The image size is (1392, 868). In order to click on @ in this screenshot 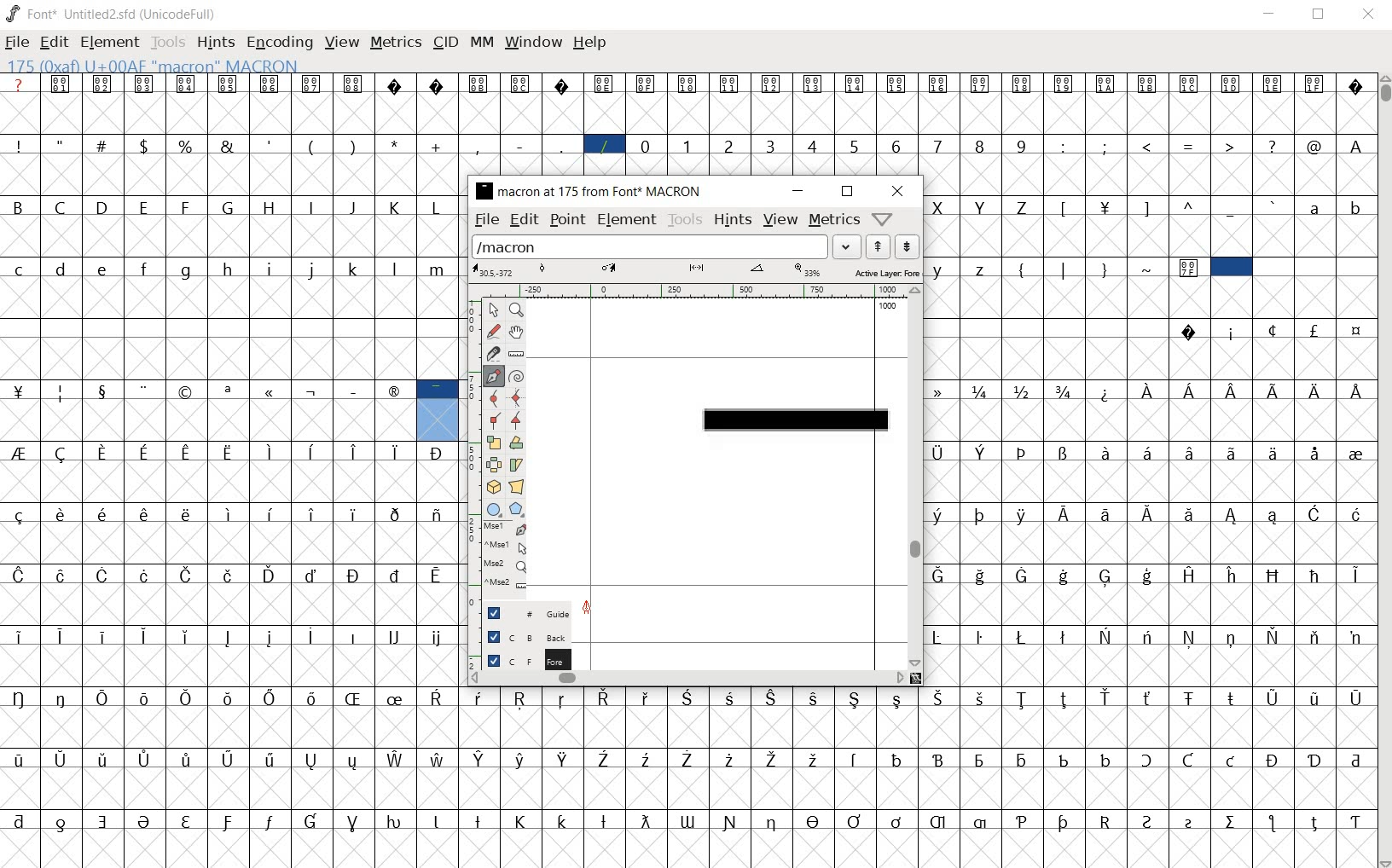, I will do `click(1317, 147)`.